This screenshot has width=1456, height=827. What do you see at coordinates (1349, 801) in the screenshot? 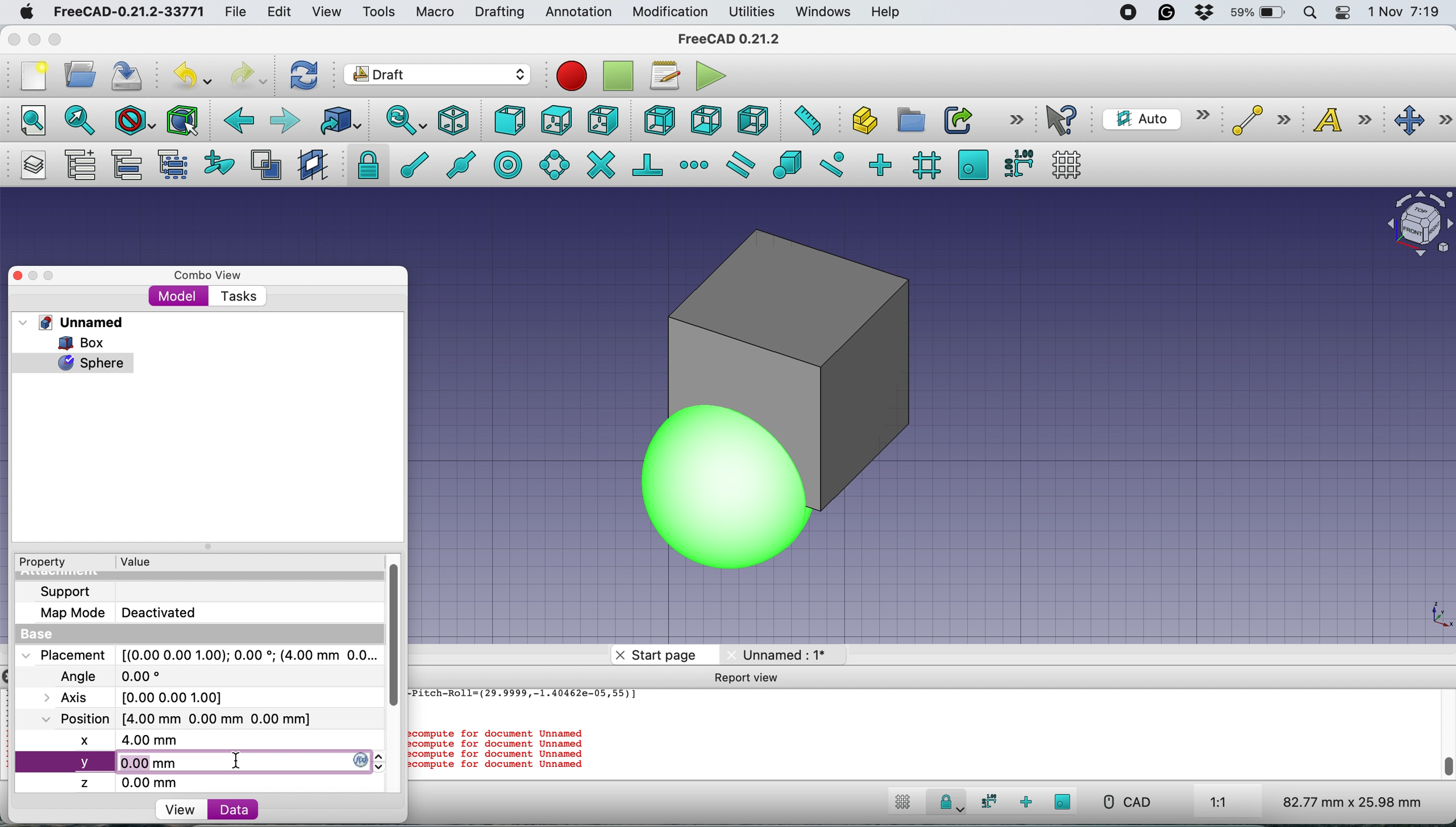
I see `dimensions` at bounding box center [1349, 801].